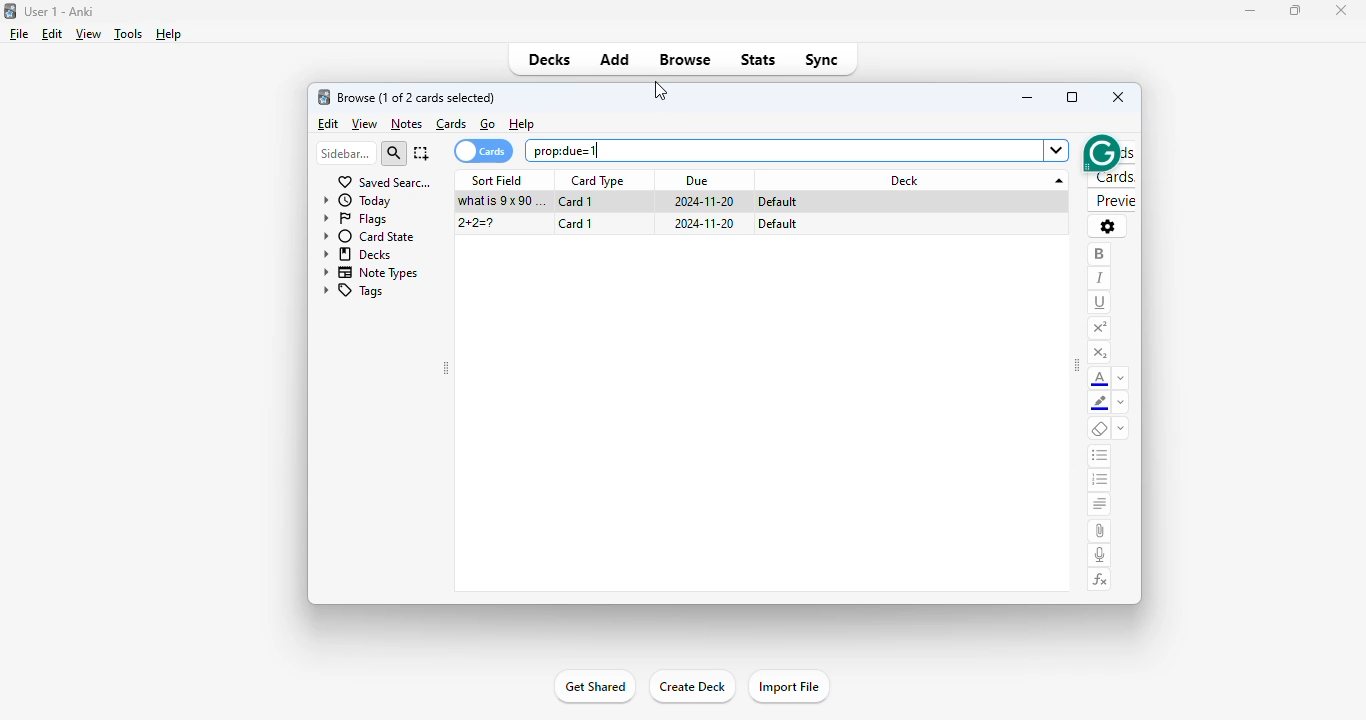 The image size is (1366, 720). Describe the element at coordinates (1100, 352) in the screenshot. I see `subscript` at that location.